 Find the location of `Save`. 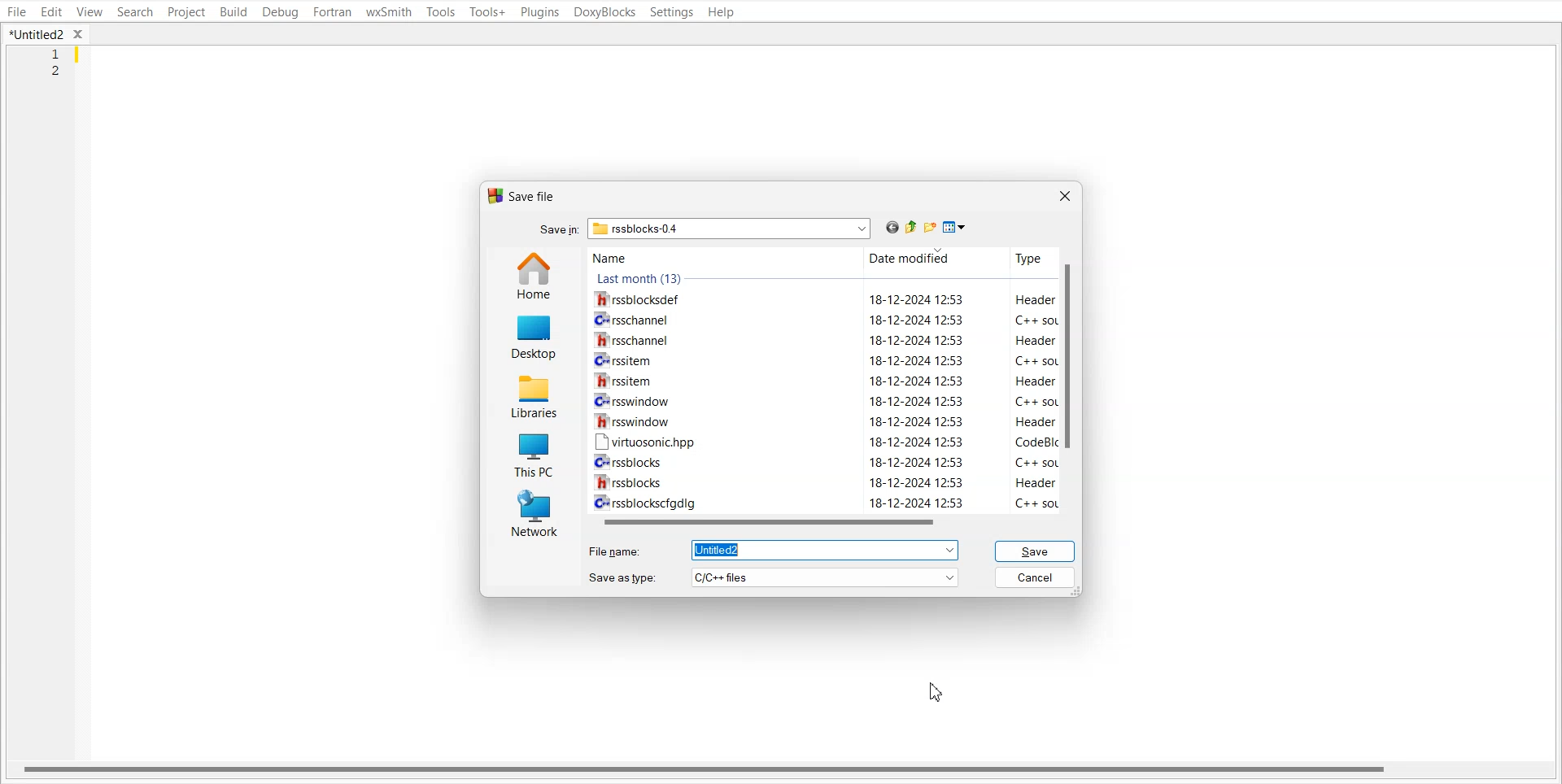

Save is located at coordinates (1034, 551).